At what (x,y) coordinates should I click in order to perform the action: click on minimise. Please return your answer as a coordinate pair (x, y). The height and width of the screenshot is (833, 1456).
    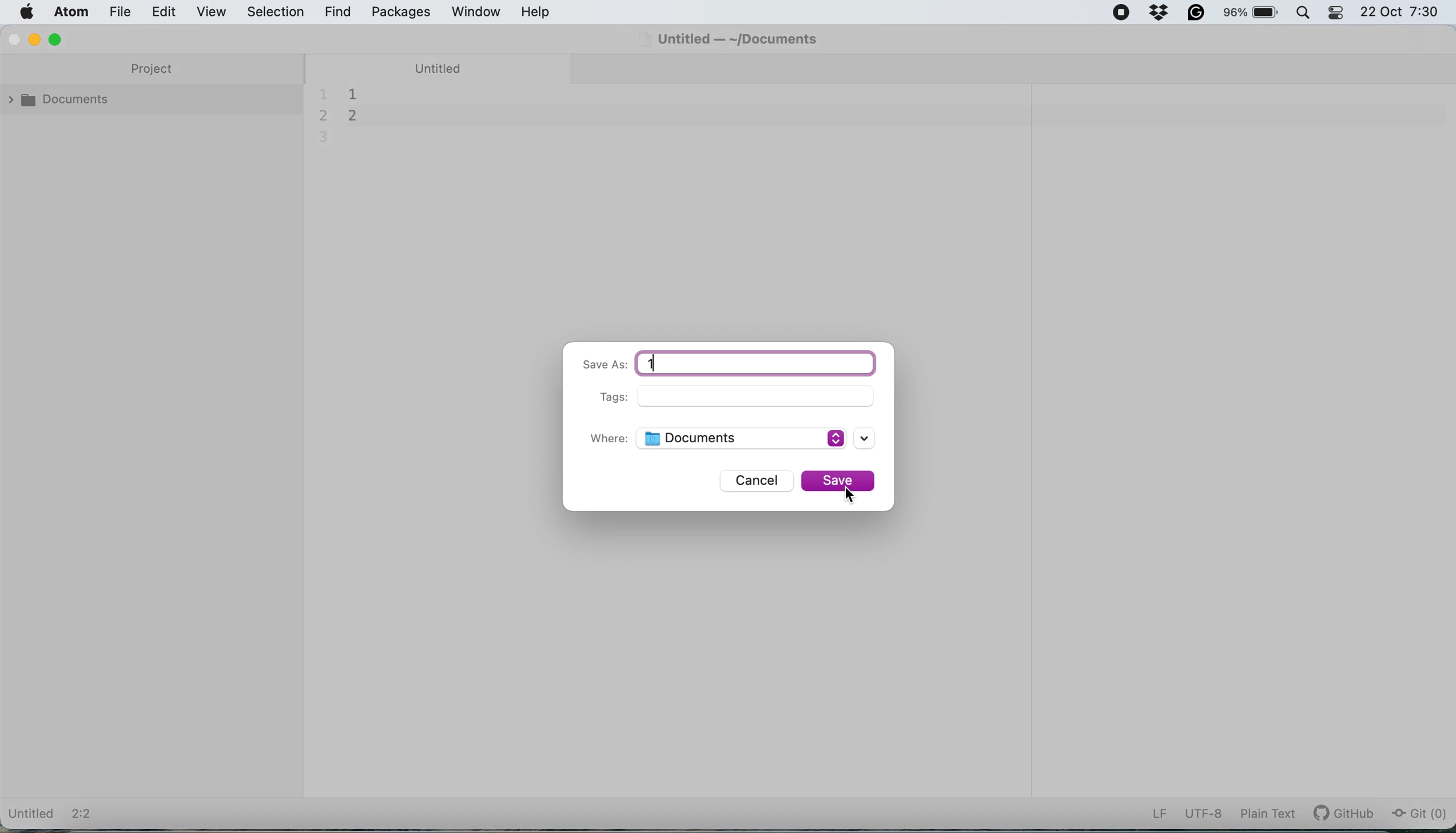
    Looking at the image, I should click on (38, 39).